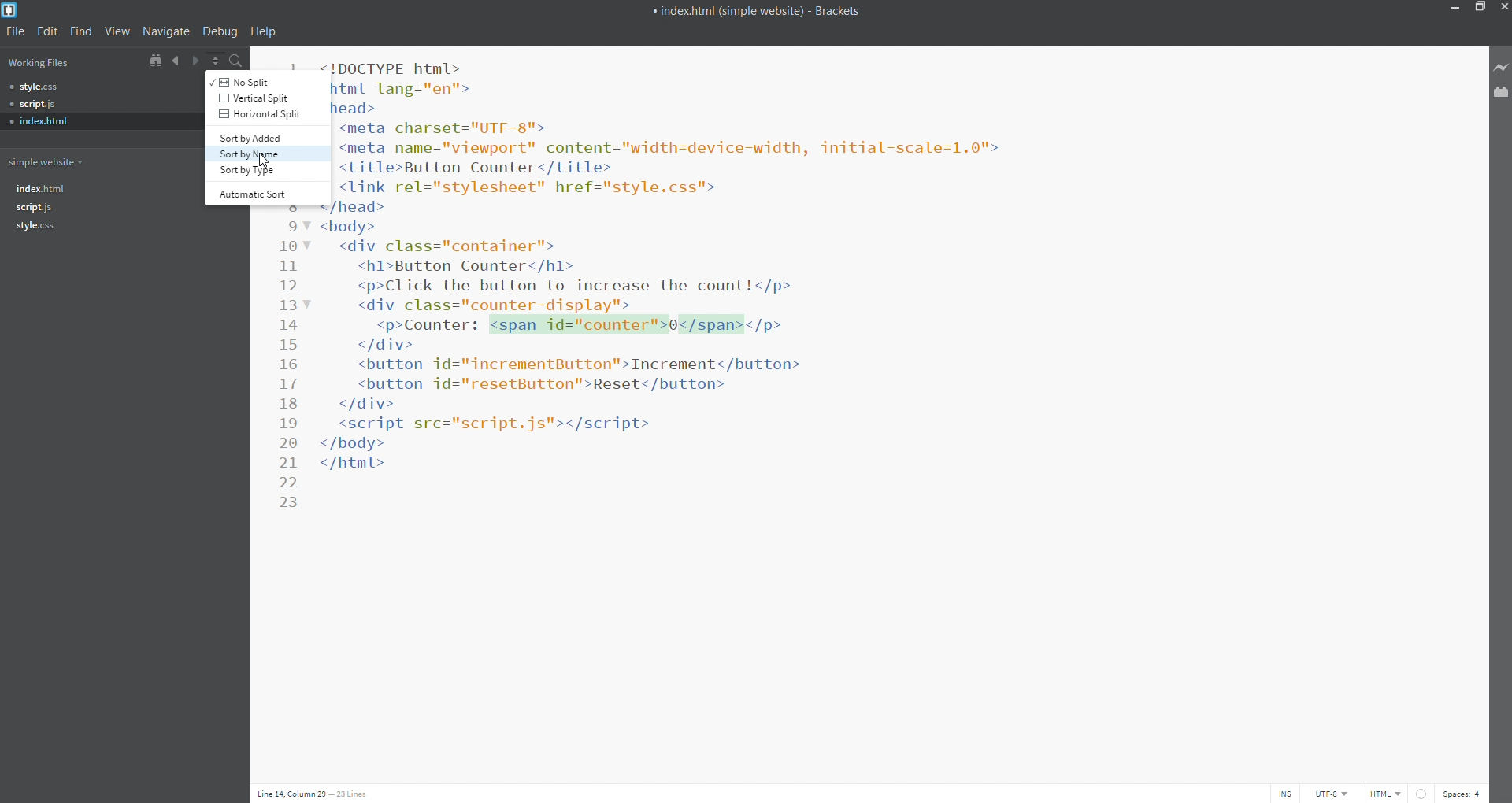 The height and width of the screenshot is (803, 1512). I want to click on live preview, so click(1503, 65).